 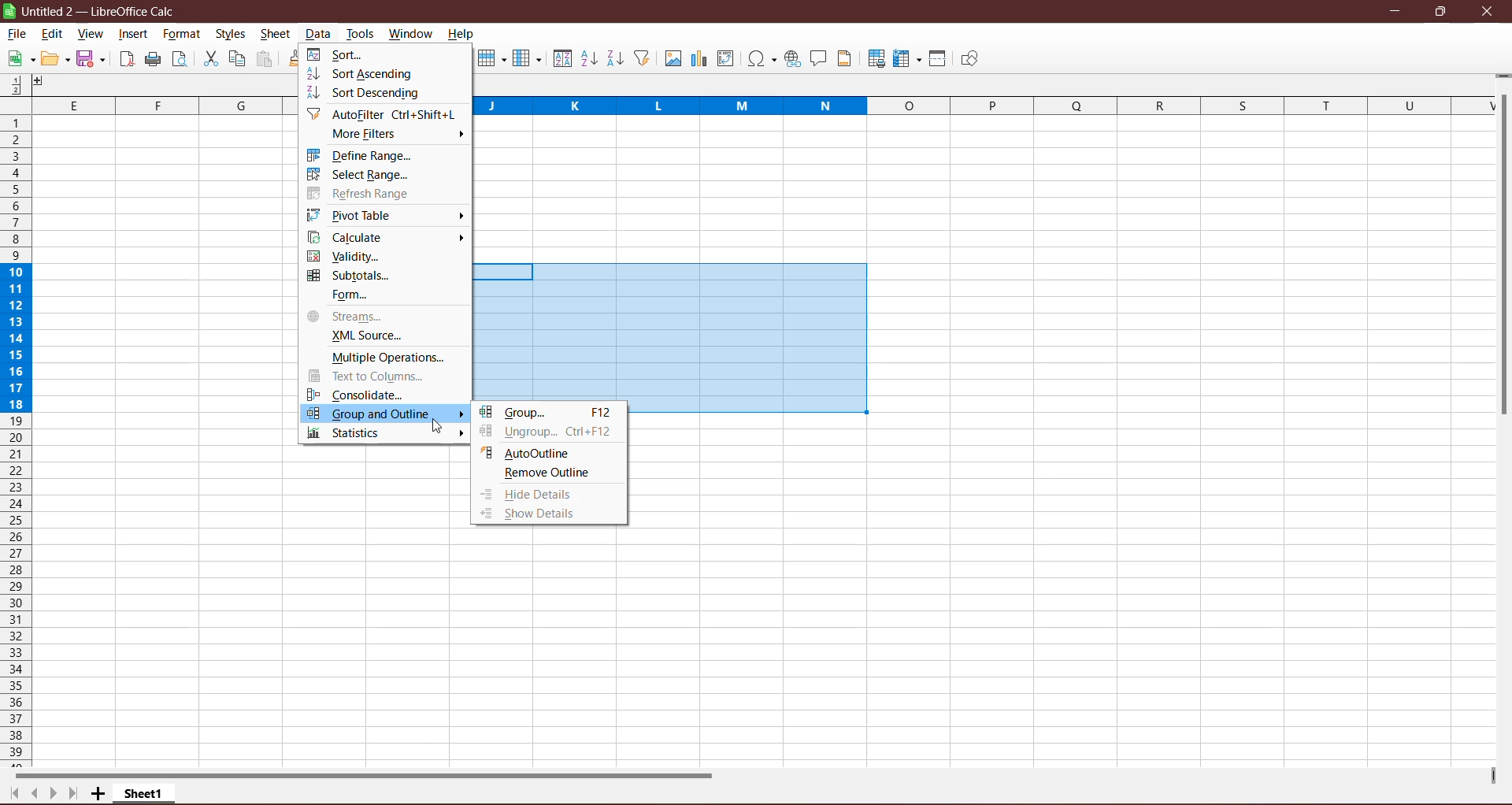 What do you see at coordinates (1503, 258) in the screenshot?
I see `Vertical Scroll Bar` at bounding box center [1503, 258].